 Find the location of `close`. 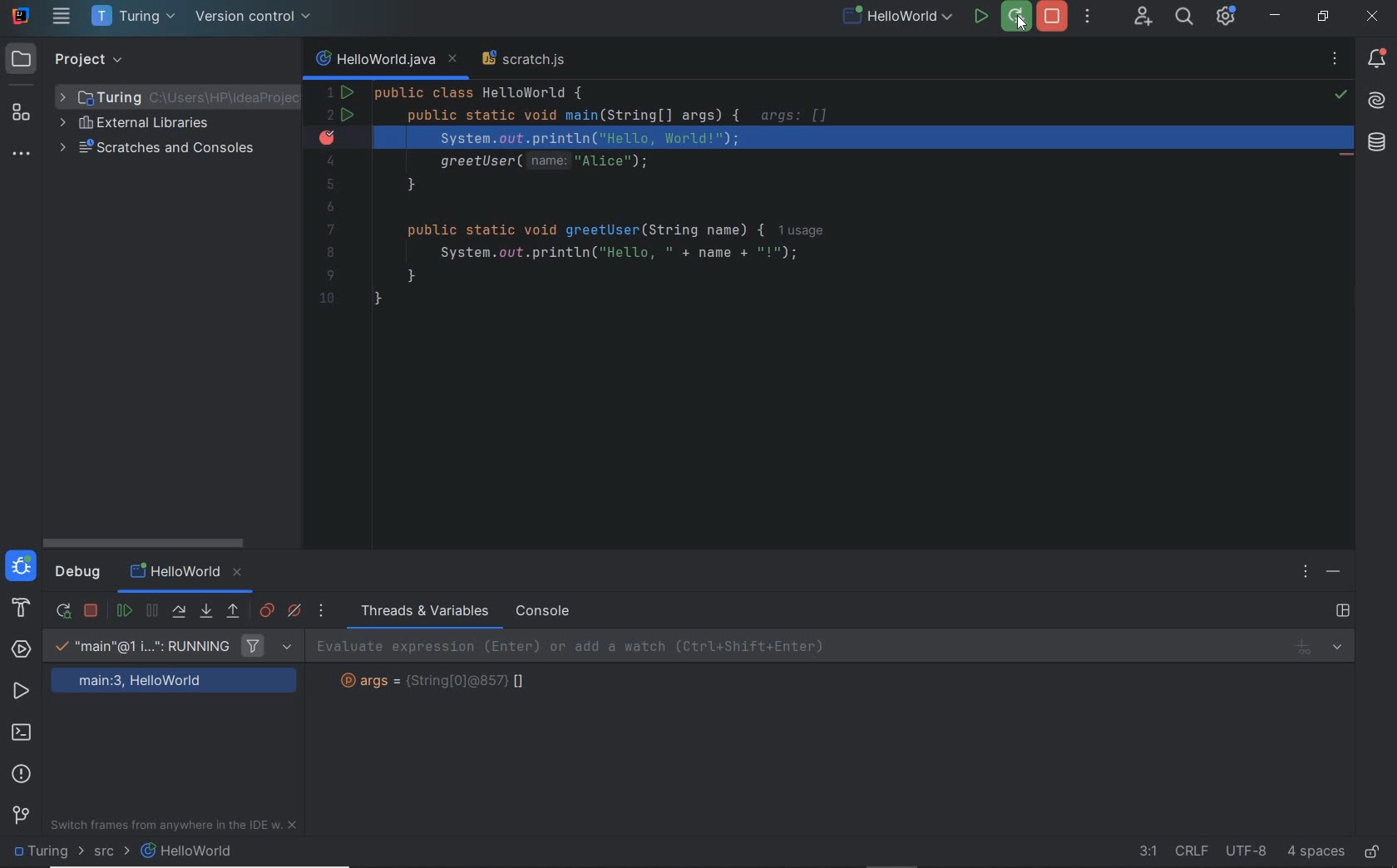

close is located at coordinates (1375, 18).